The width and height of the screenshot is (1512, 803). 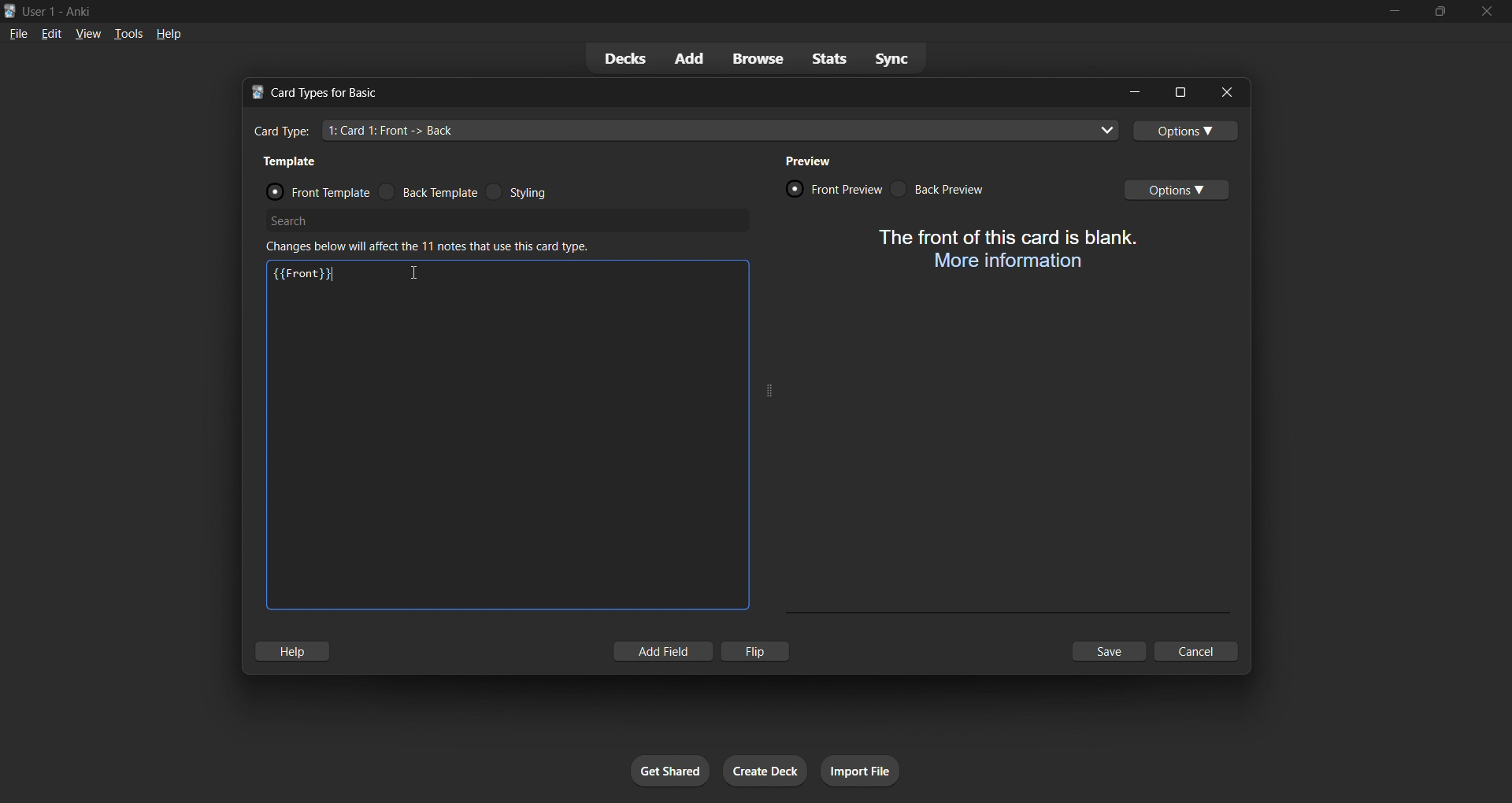 What do you see at coordinates (1110, 653) in the screenshot?
I see `save` at bounding box center [1110, 653].